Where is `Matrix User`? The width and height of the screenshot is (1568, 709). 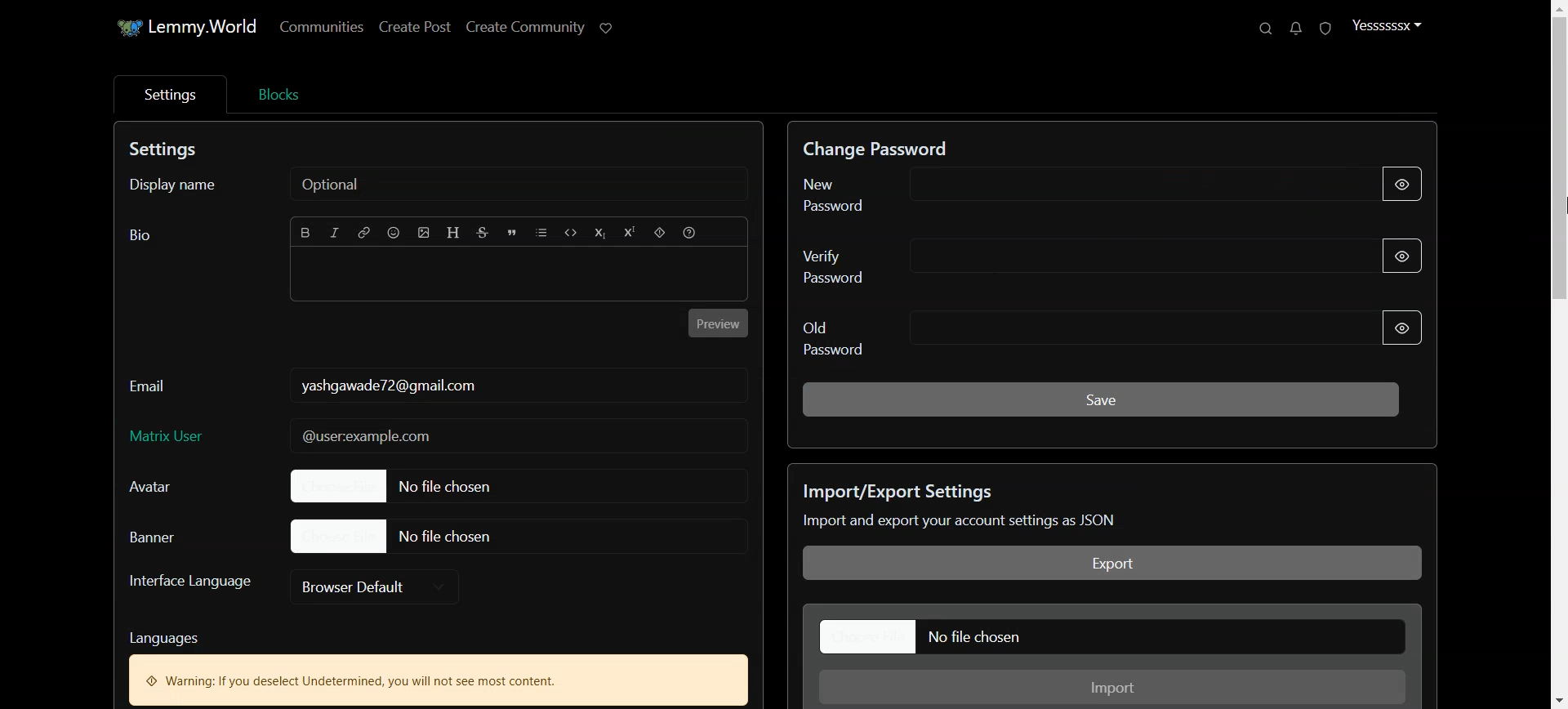
Matrix User is located at coordinates (178, 437).